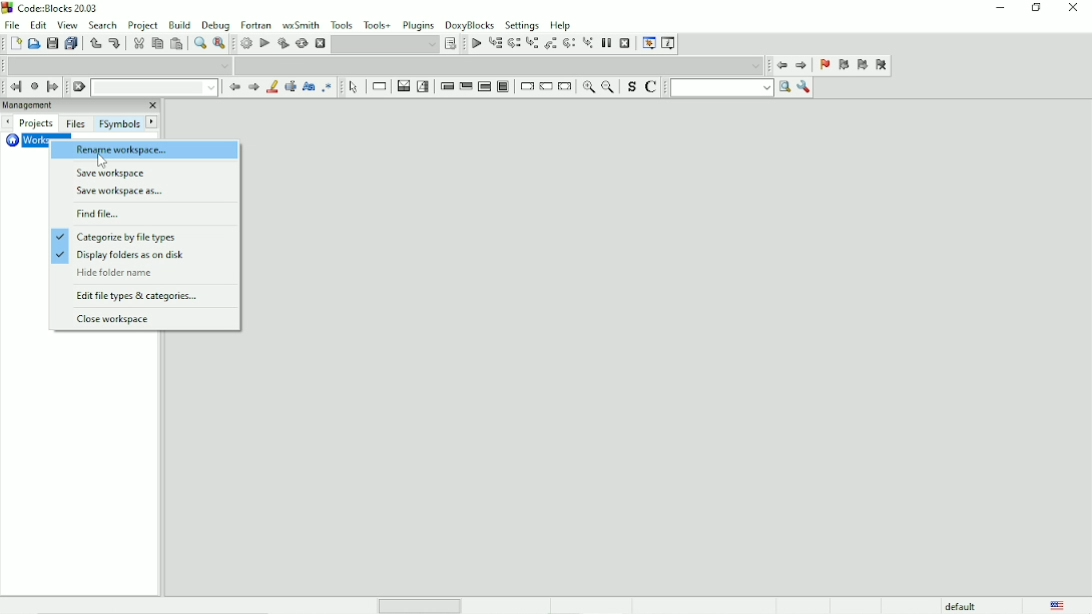  What do you see at coordinates (354, 87) in the screenshot?
I see `Select` at bounding box center [354, 87].